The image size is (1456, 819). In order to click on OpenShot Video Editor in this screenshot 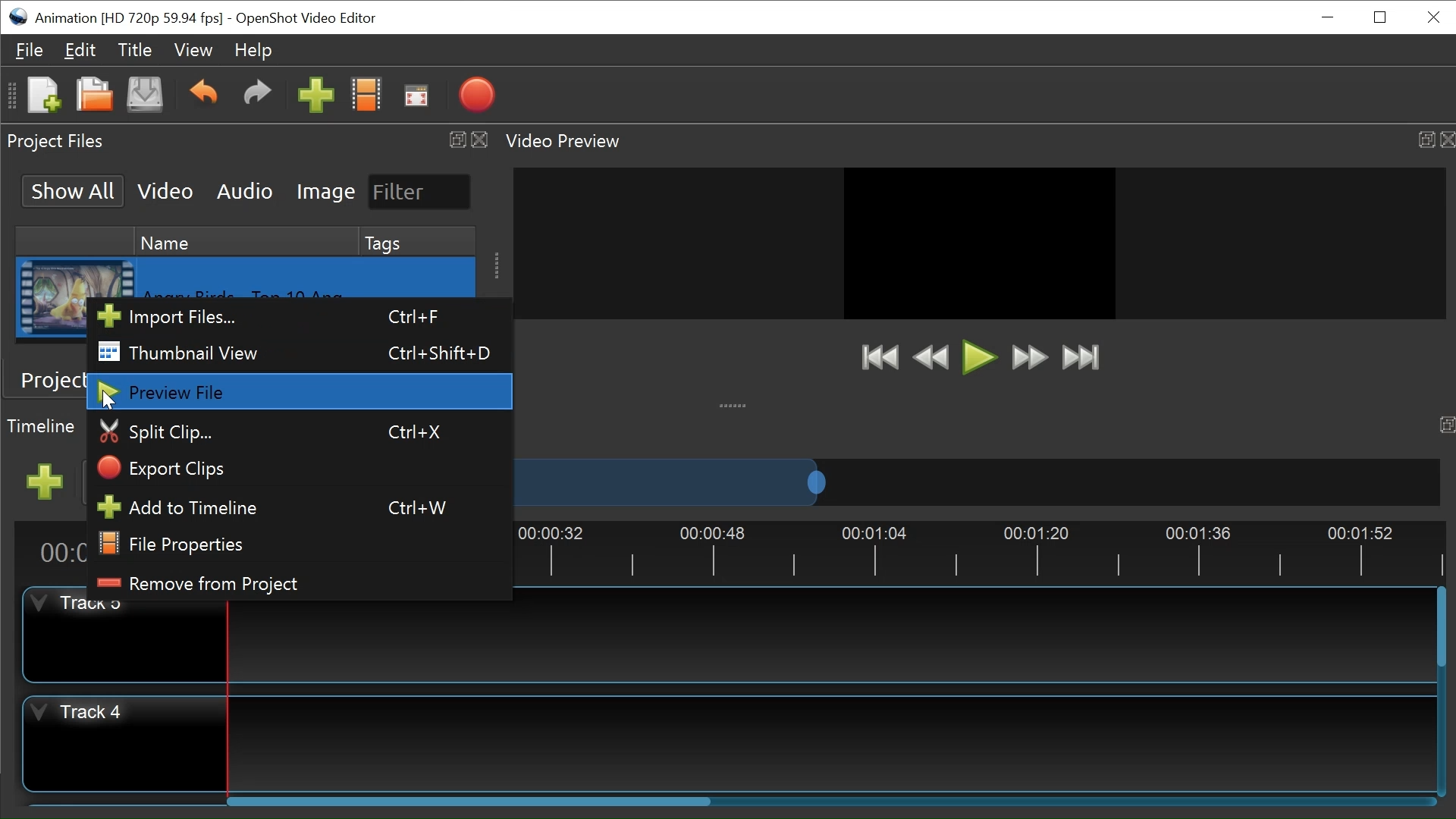, I will do `click(306, 19)`.